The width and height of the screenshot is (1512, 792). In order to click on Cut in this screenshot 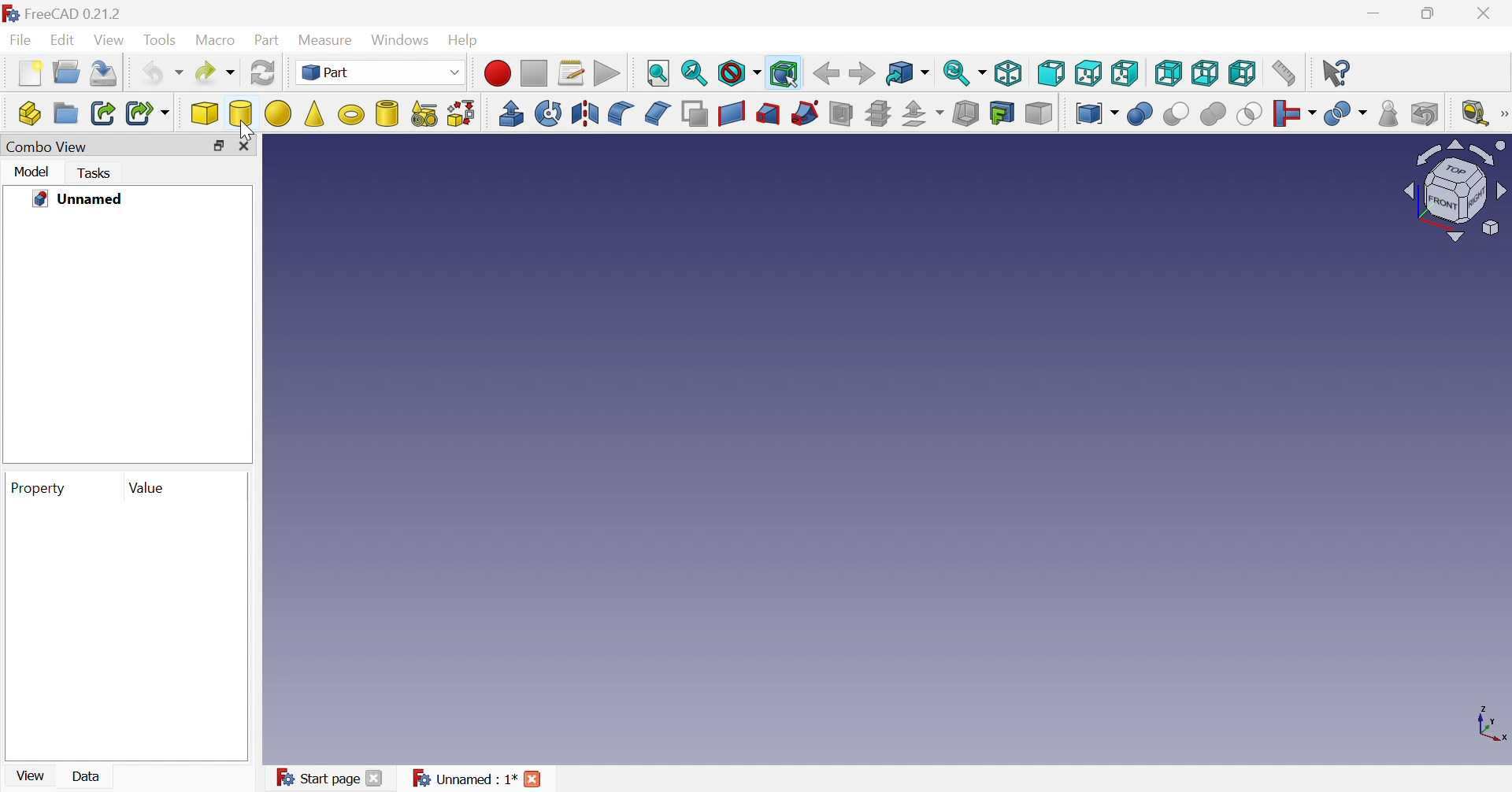, I will do `click(1176, 115)`.